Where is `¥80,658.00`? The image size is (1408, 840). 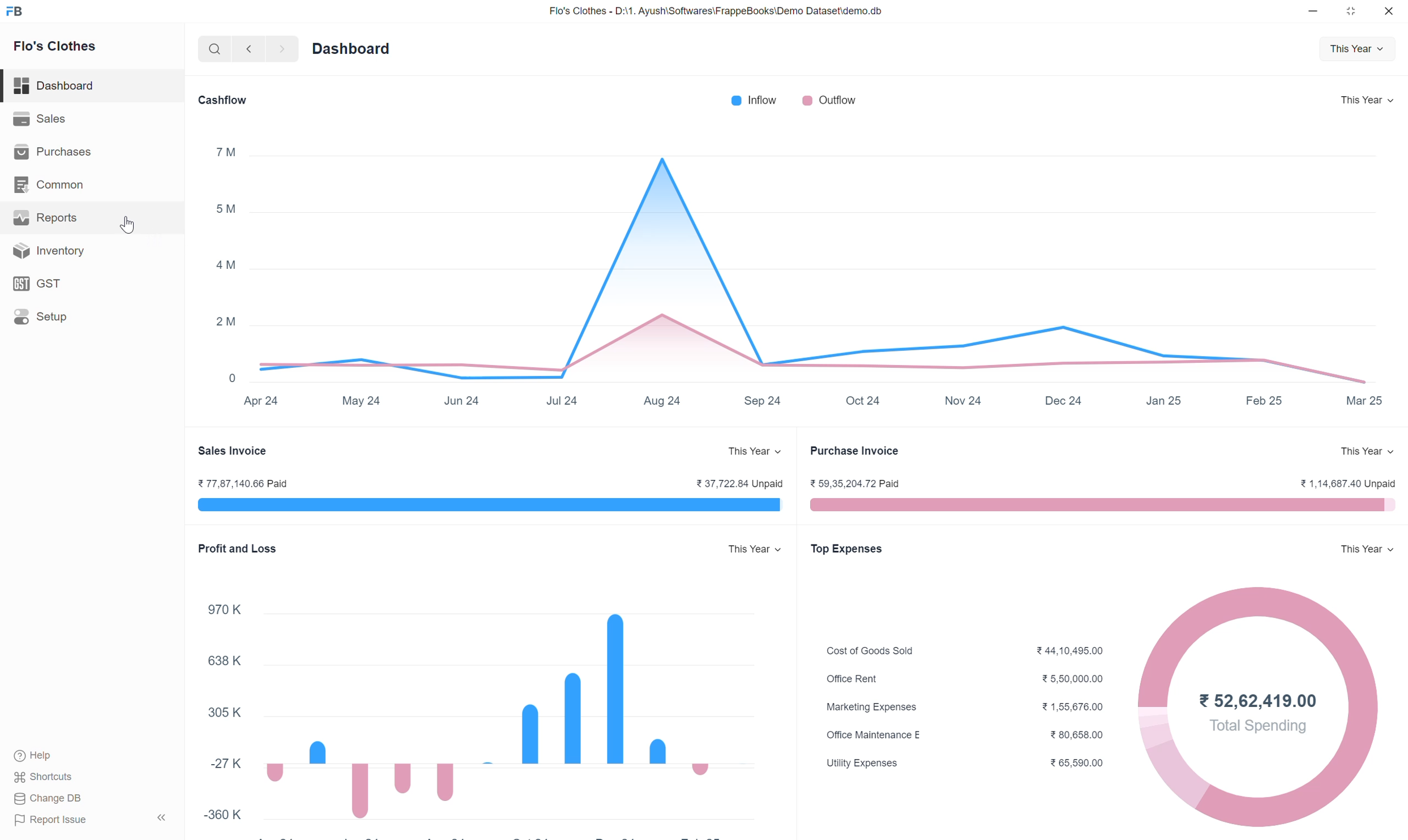 ¥80,658.00 is located at coordinates (1076, 735).